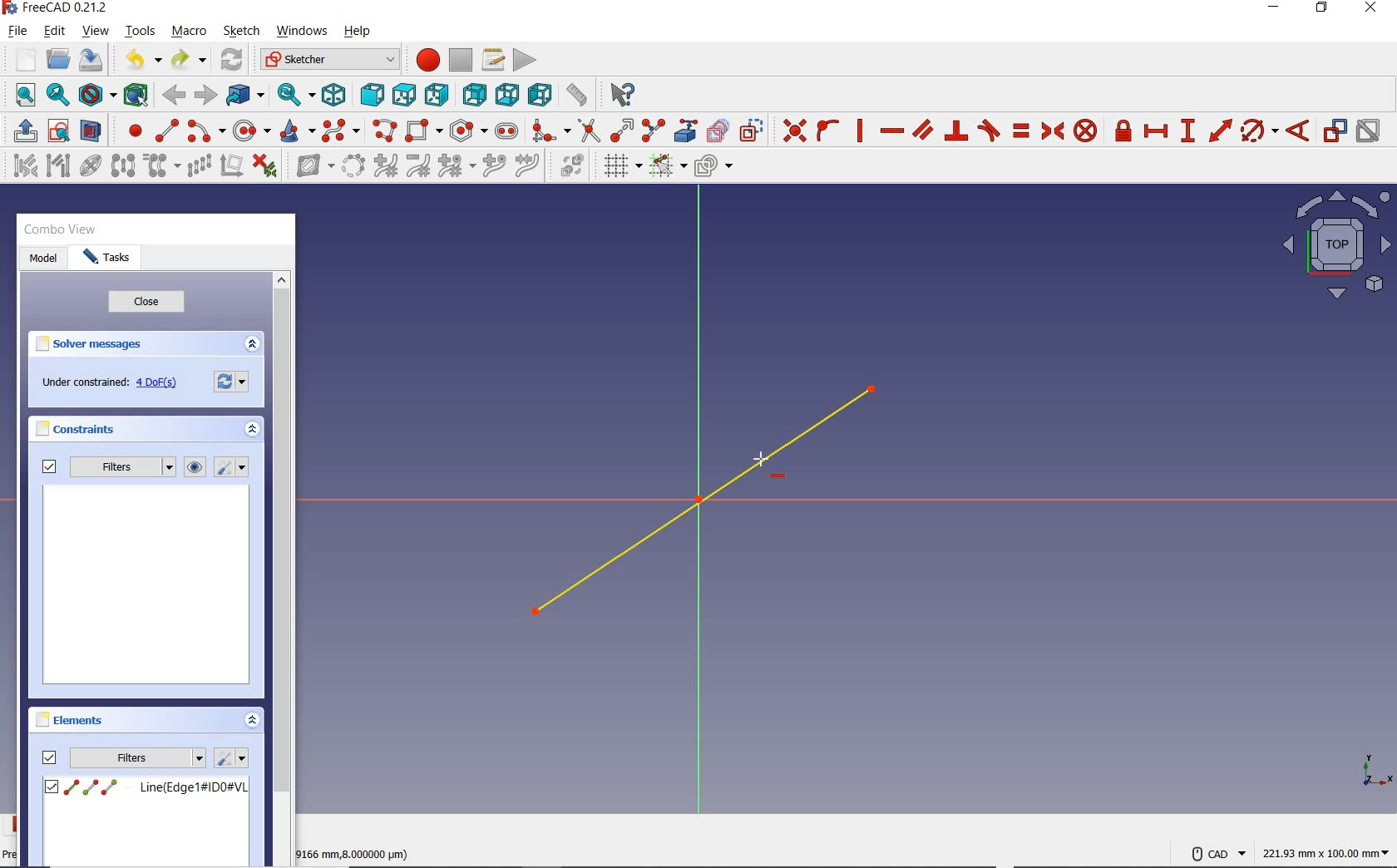 The height and width of the screenshot is (868, 1397). Describe the element at coordinates (159, 166) in the screenshot. I see `CLONE` at that location.